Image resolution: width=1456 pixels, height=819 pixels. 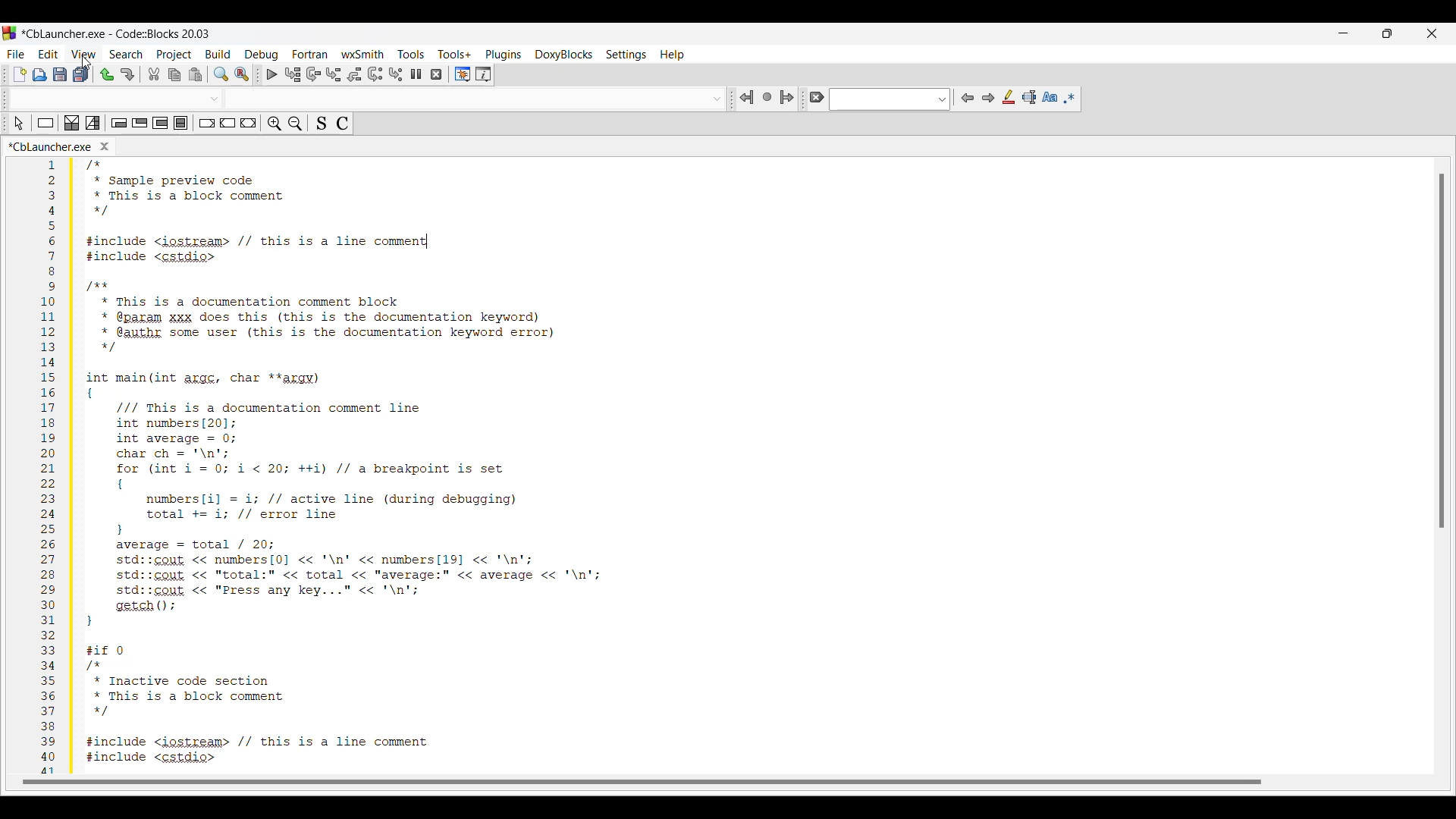 I want to click on View menu, so click(x=84, y=54).